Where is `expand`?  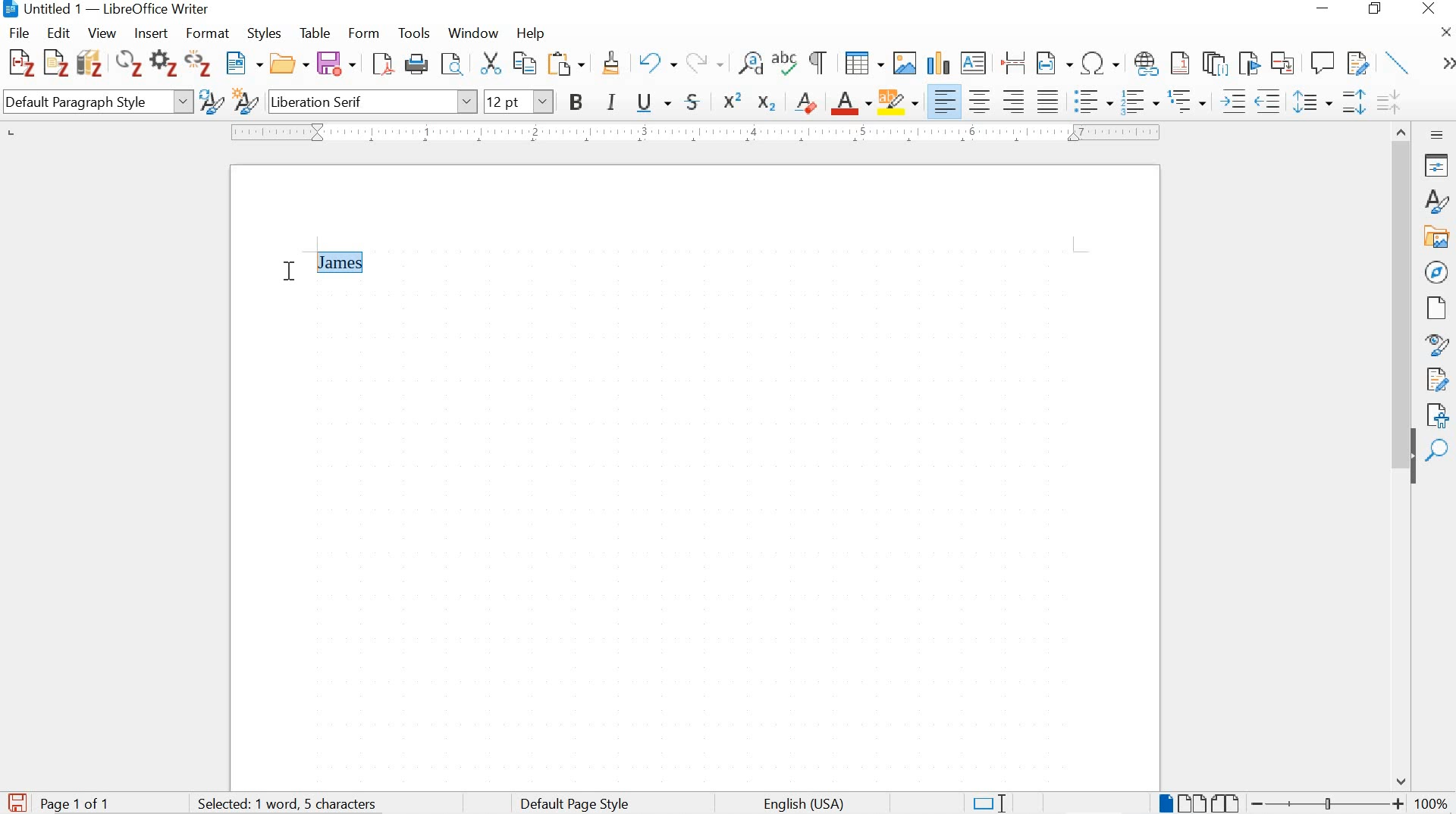 expand is located at coordinates (1445, 64).